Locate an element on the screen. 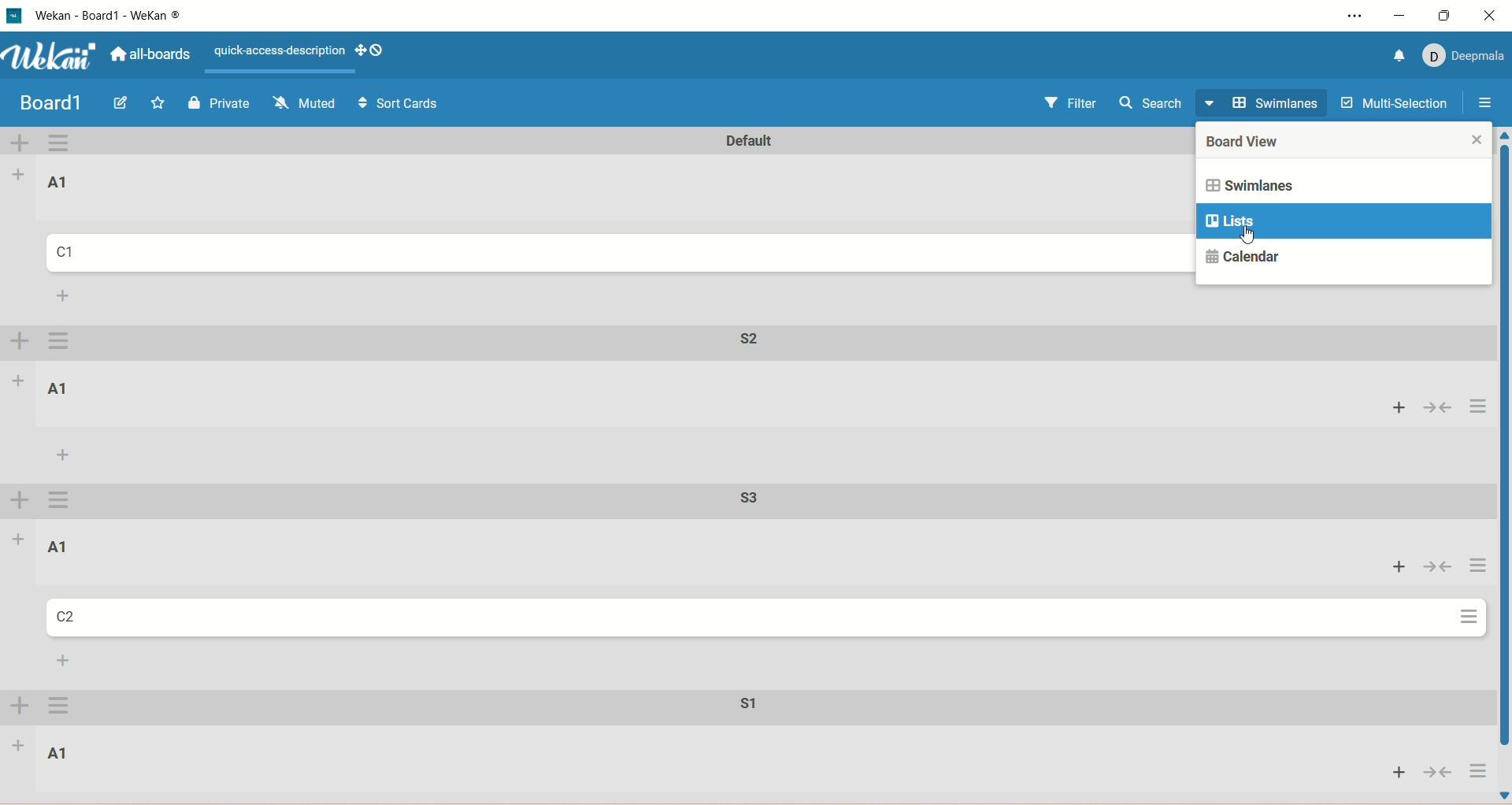  collapse is located at coordinates (1436, 568).